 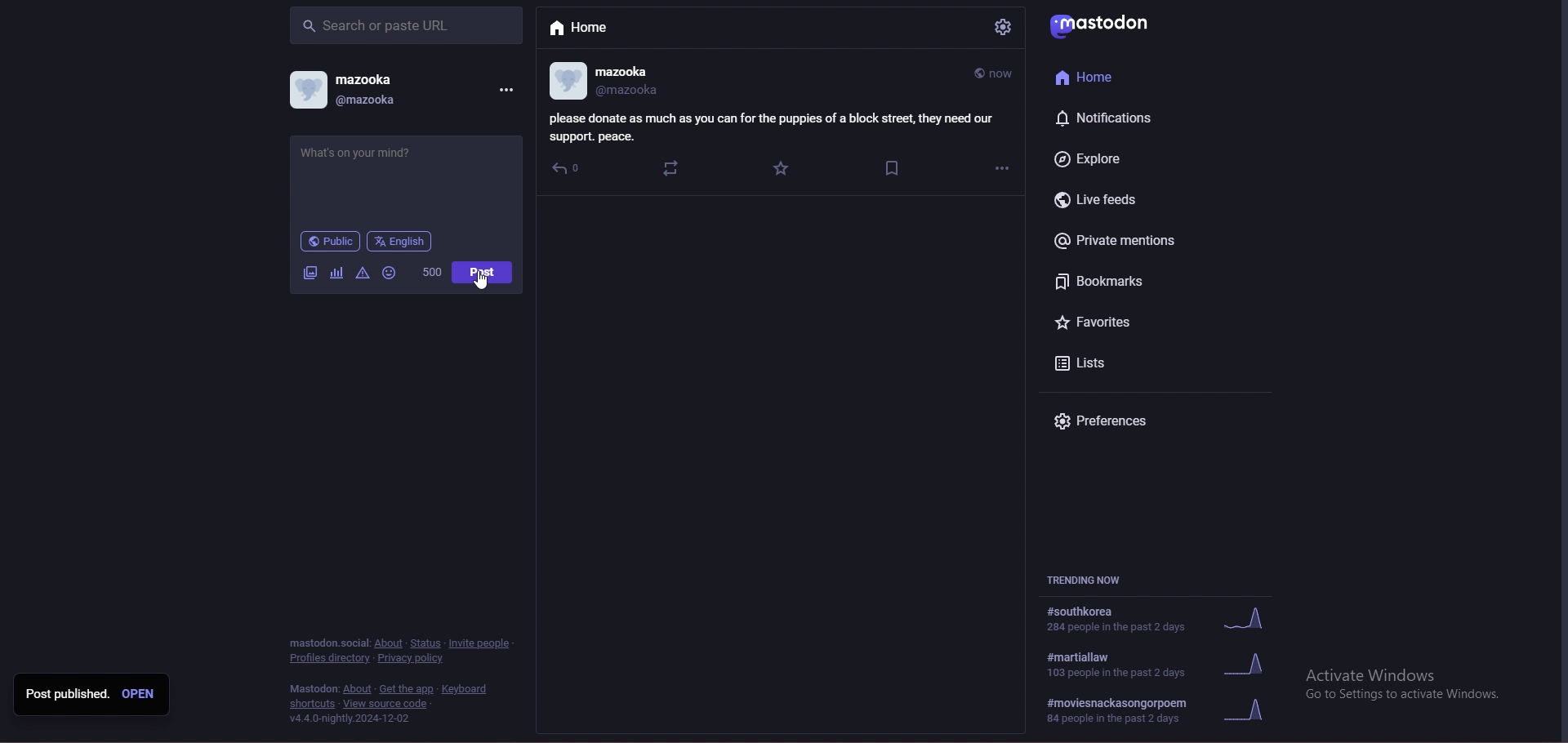 What do you see at coordinates (1156, 618) in the screenshot?
I see `trending` at bounding box center [1156, 618].